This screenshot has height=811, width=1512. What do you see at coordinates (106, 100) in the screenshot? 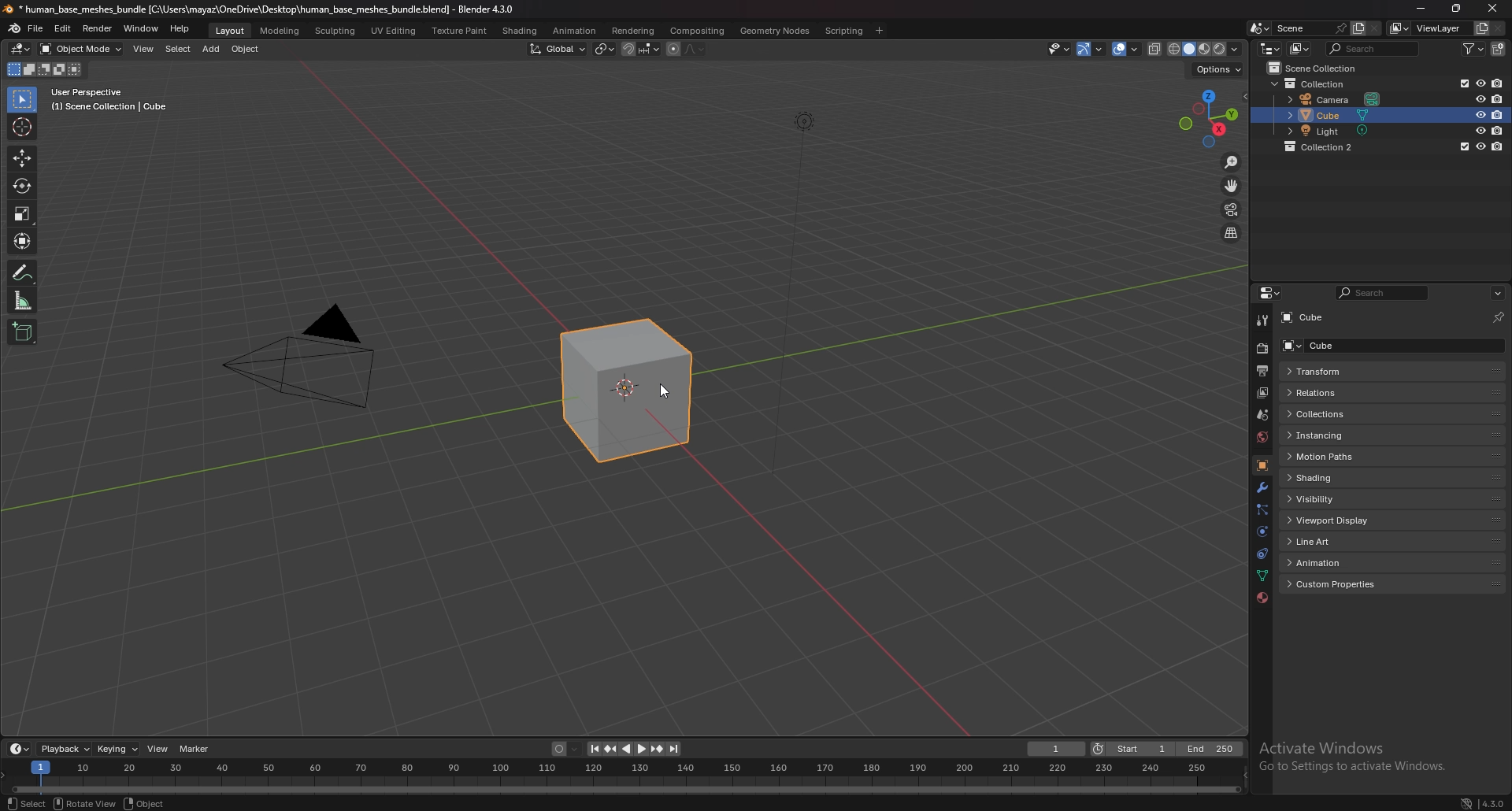
I see `user perspective` at bounding box center [106, 100].